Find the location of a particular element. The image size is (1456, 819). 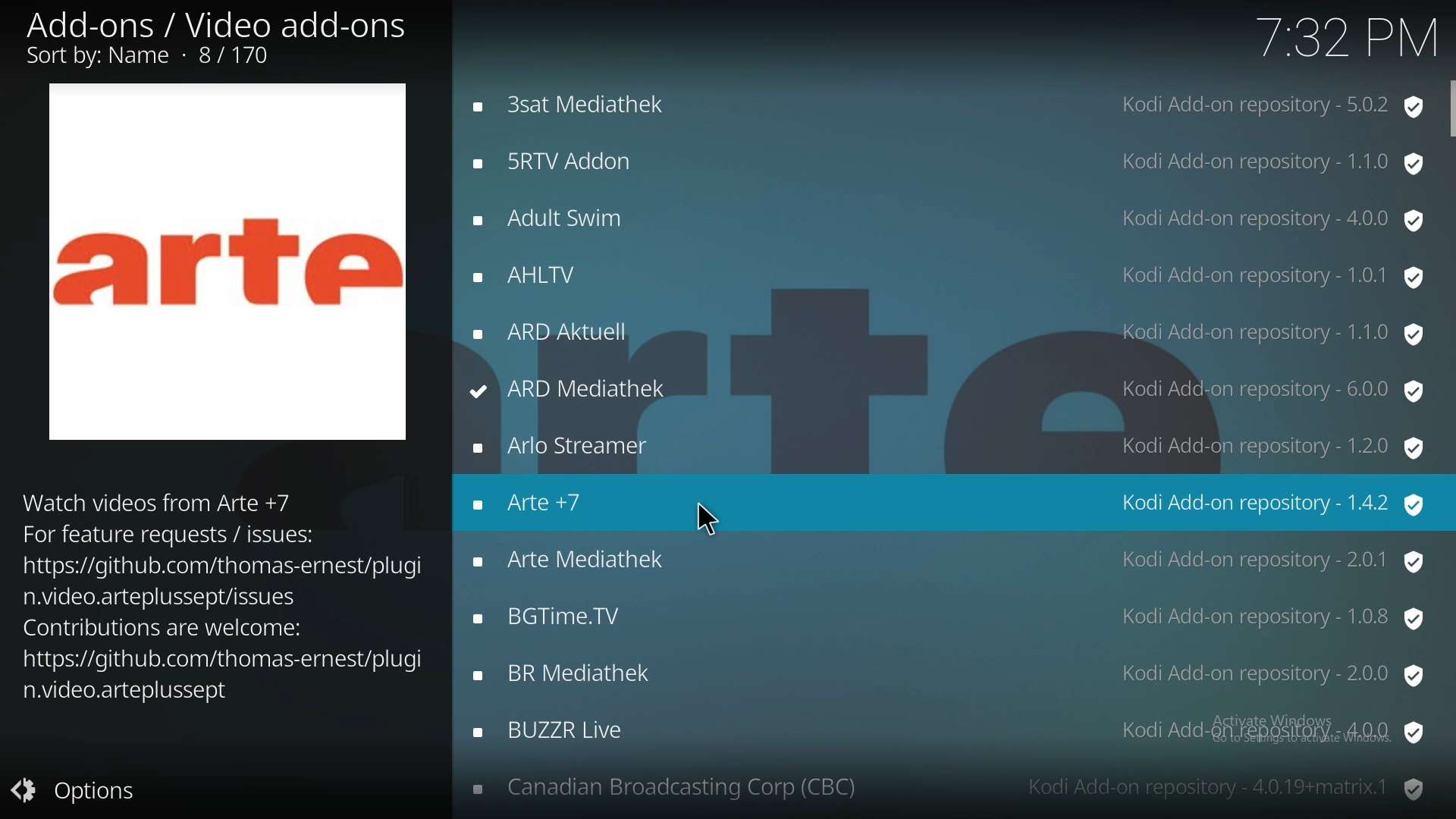

add on is located at coordinates (949, 561).